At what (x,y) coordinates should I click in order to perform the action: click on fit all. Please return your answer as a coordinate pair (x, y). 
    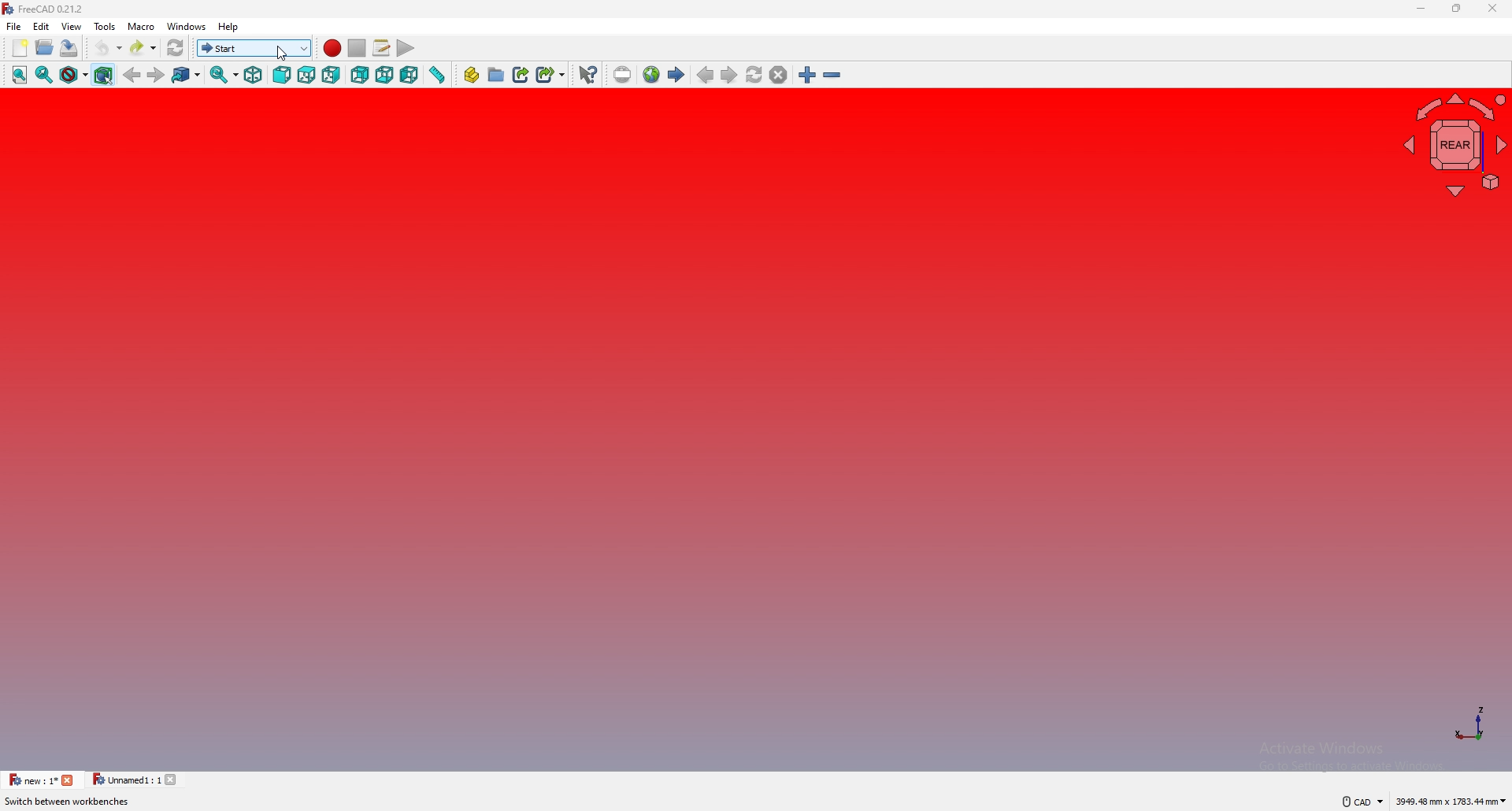
    Looking at the image, I should click on (19, 75).